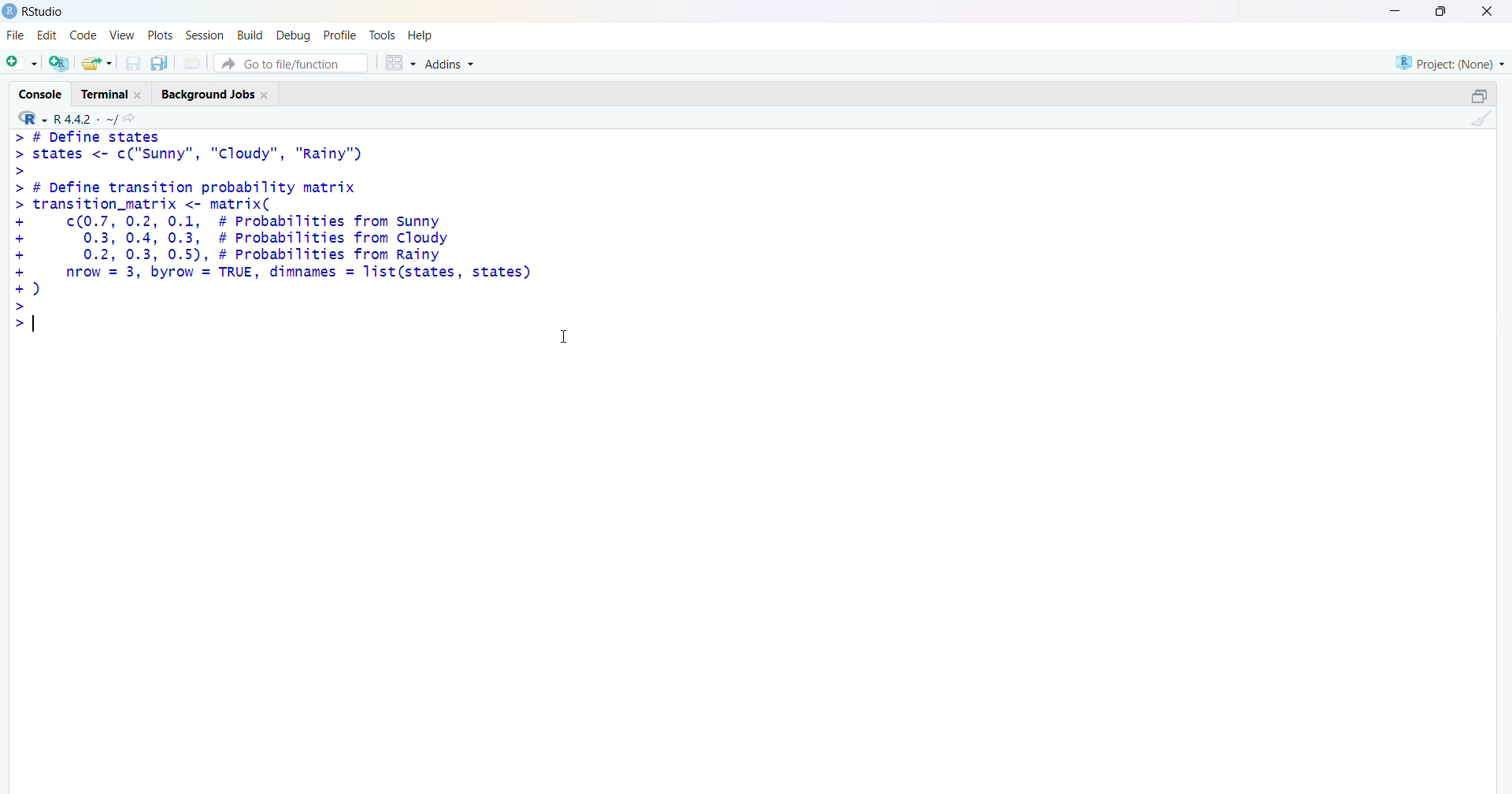  What do you see at coordinates (1487, 12) in the screenshot?
I see `close` at bounding box center [1487, 12].